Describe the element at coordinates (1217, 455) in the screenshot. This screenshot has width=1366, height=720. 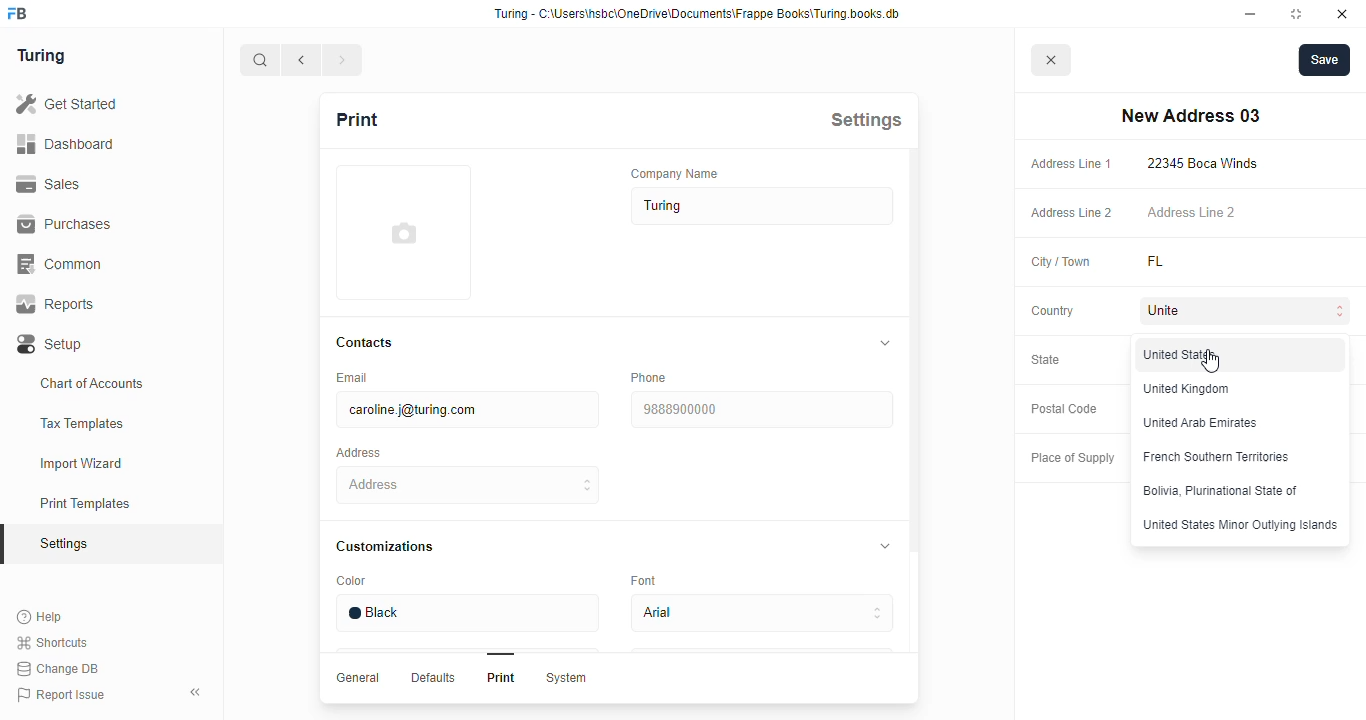
I see `french southern territories` at that location.